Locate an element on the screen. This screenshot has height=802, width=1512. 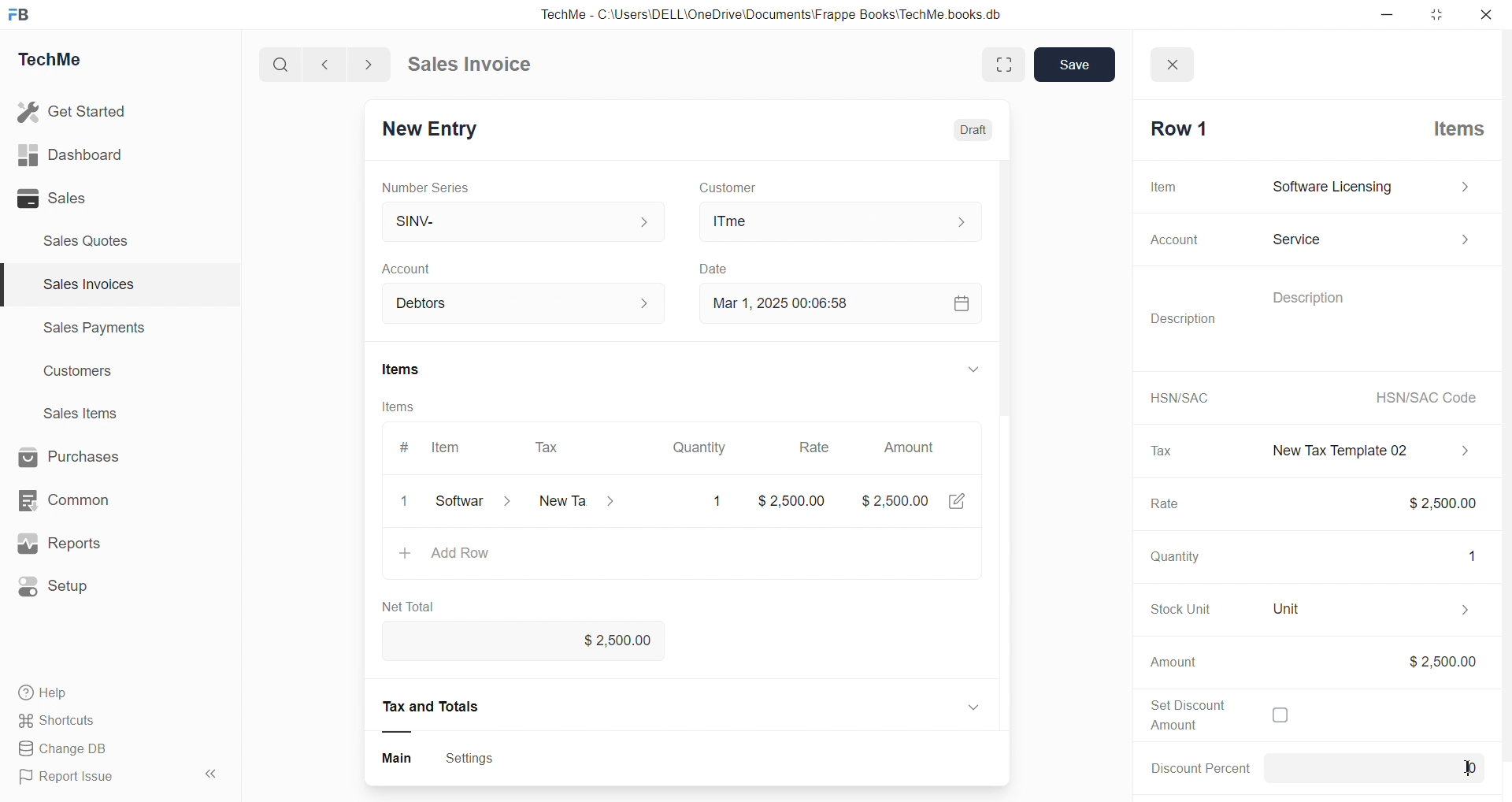
Close is located at coordinates (1177, 60).